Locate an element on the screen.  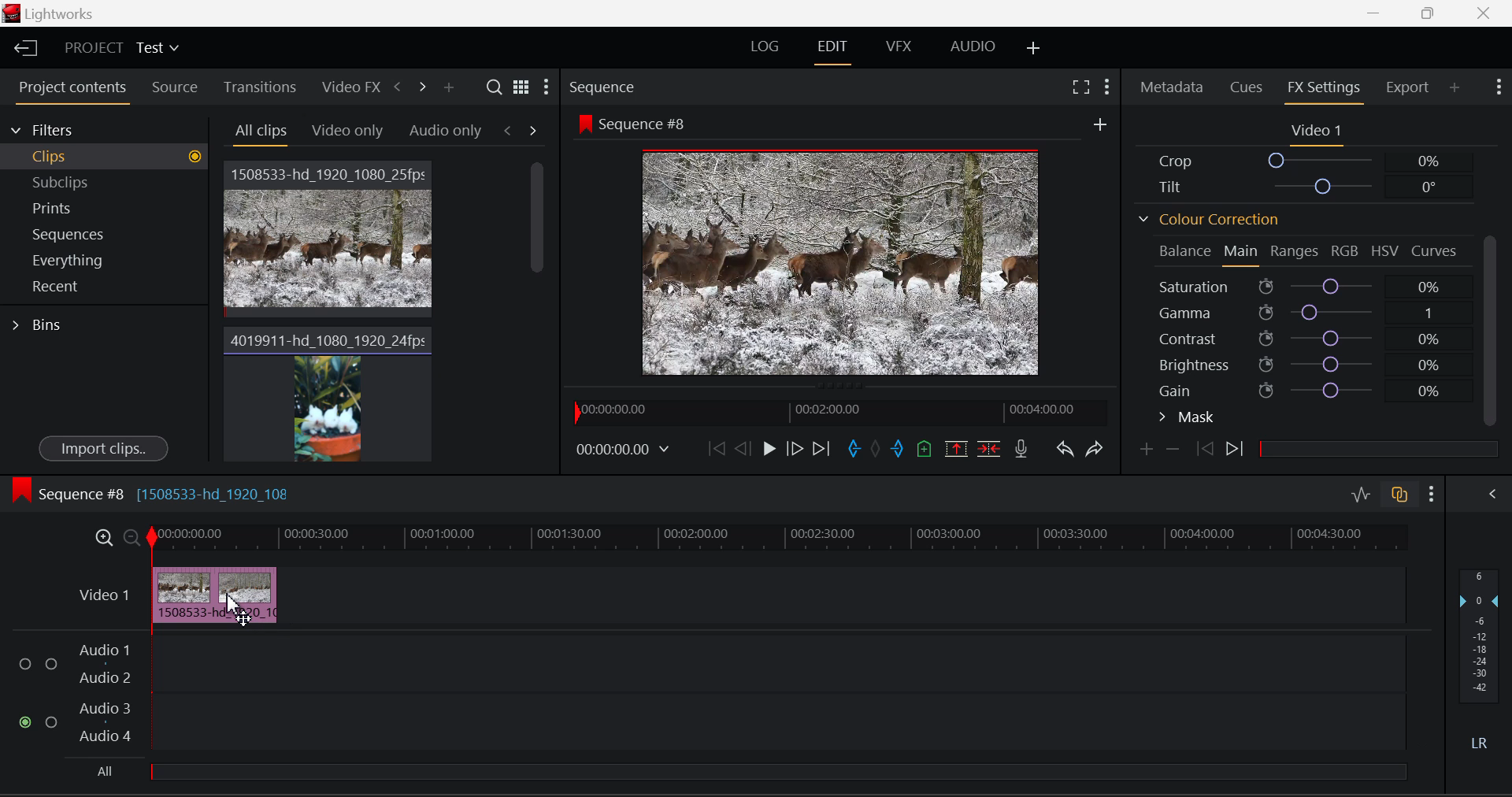
RGB is located at coordinates (1345, 252).